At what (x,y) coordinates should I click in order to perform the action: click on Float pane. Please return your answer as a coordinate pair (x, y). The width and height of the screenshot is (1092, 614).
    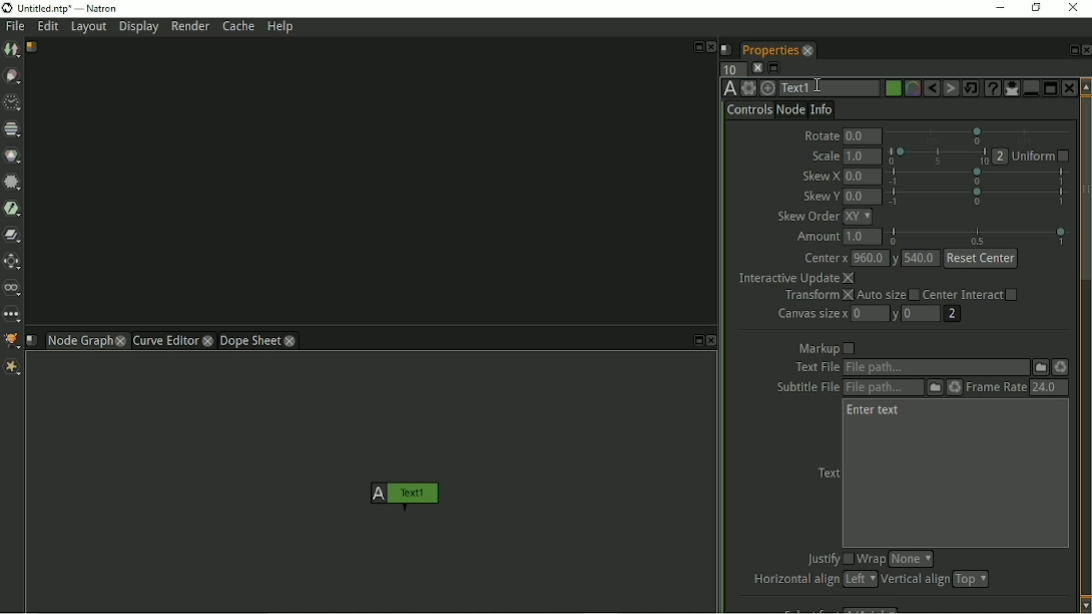
    Looking at the image, I should click on (1071, 50).